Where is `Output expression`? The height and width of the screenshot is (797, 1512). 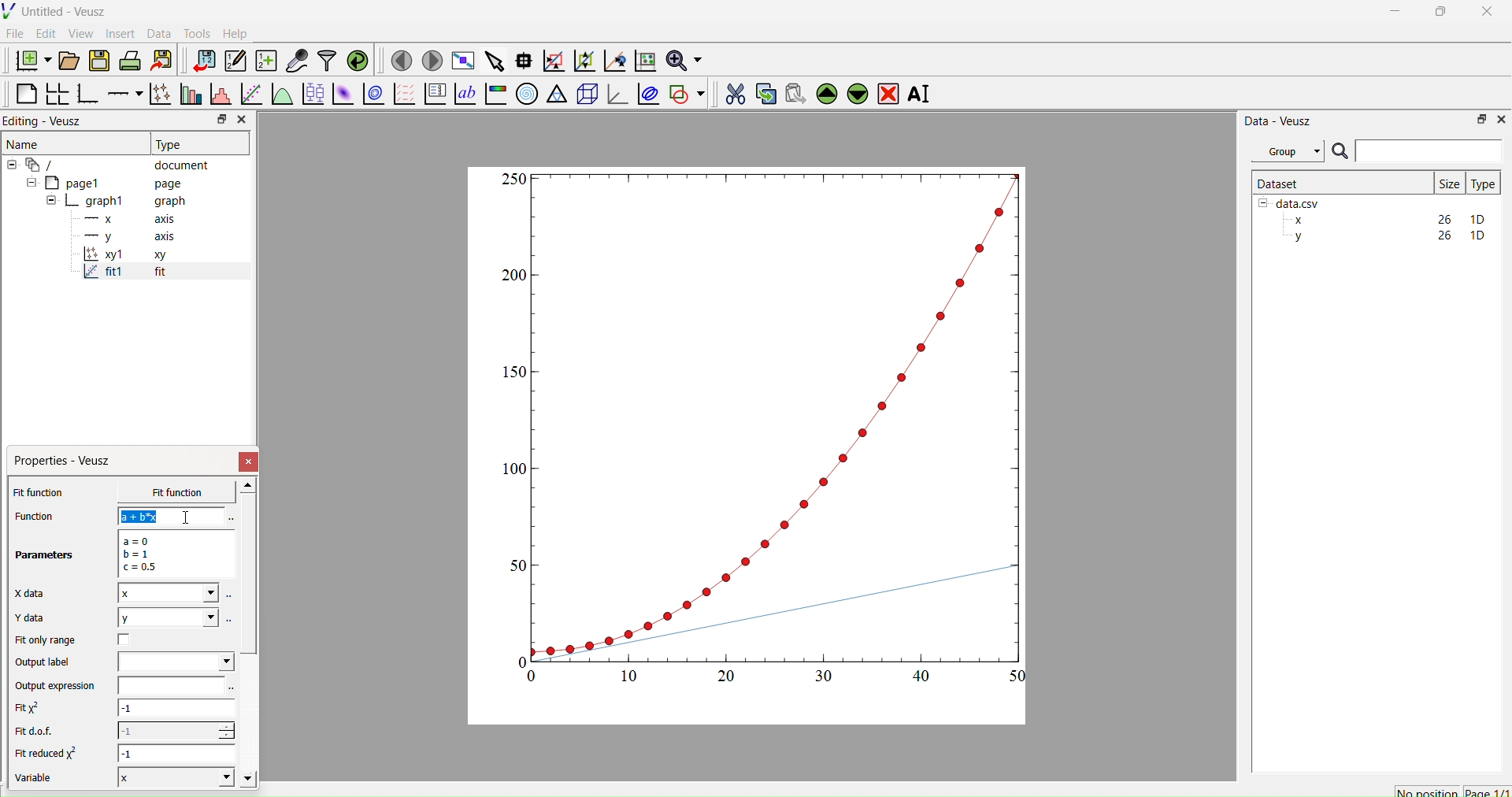
Output expression is located at coordinates (60, 686).